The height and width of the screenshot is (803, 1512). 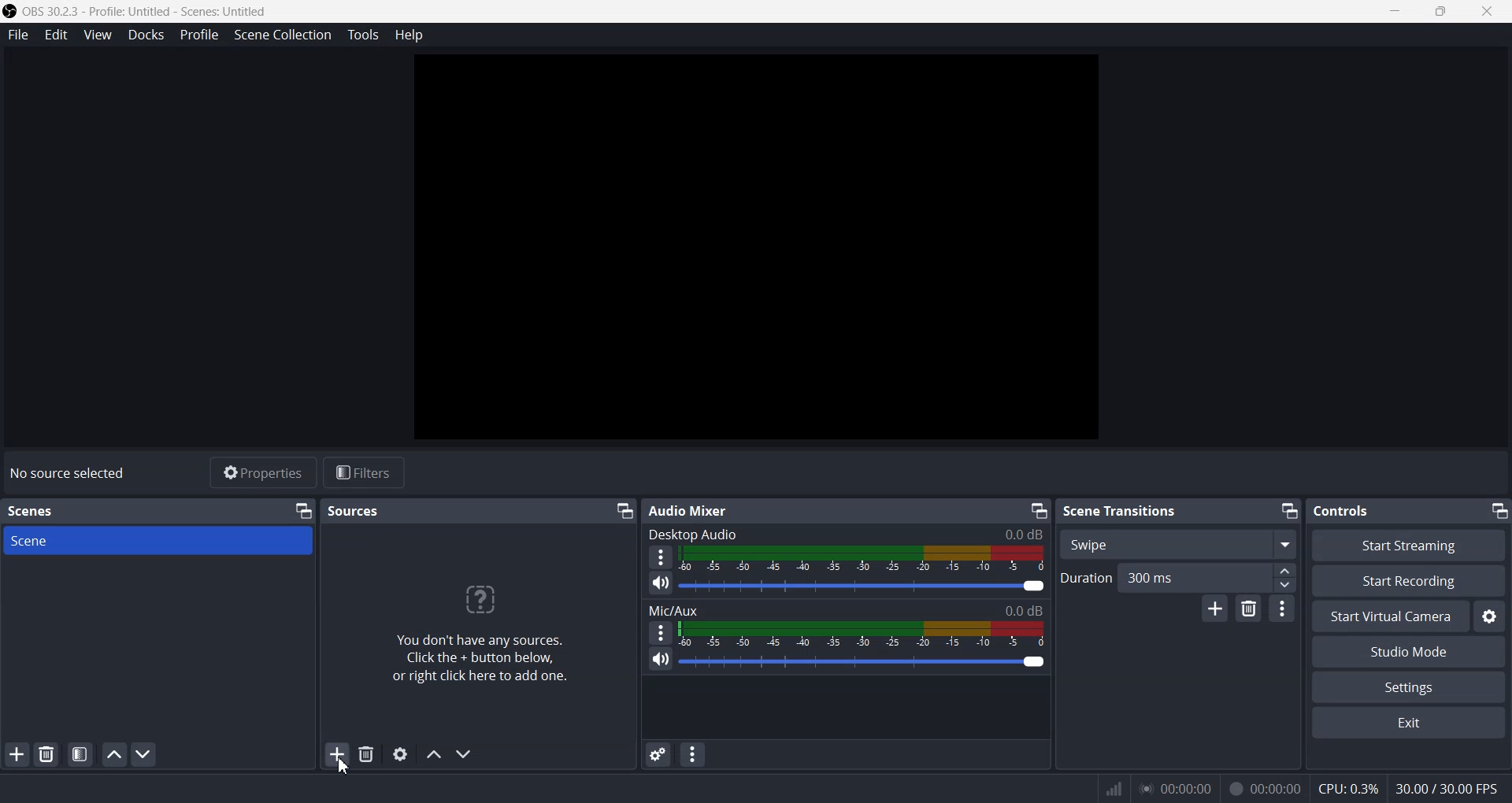 What do you see at coordinates (1489, 616) in the screenshot?
I see `Settings` at bounding box center [1489, 616].